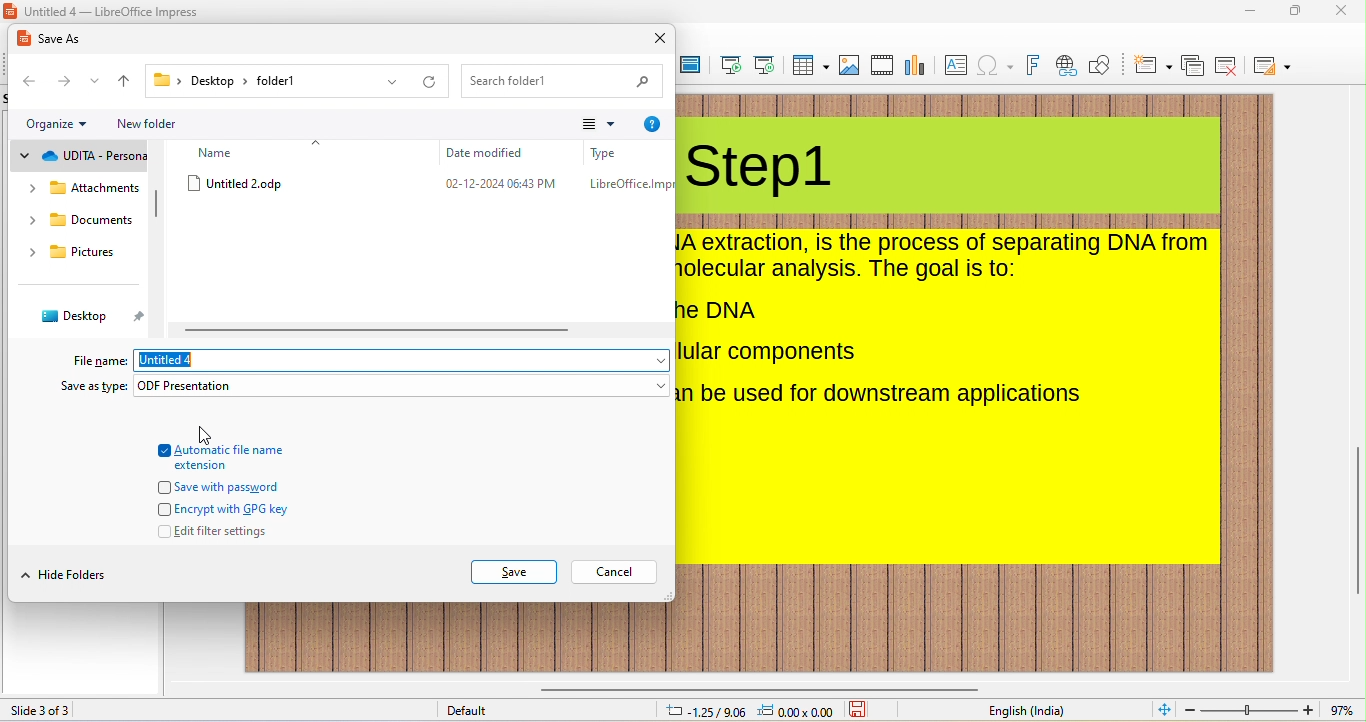 The width and height of the screenshot is (1366, 722). What do you see at coordinates (514, 572) in the screenshot?
I see `save` at bounding box center [514, 572].